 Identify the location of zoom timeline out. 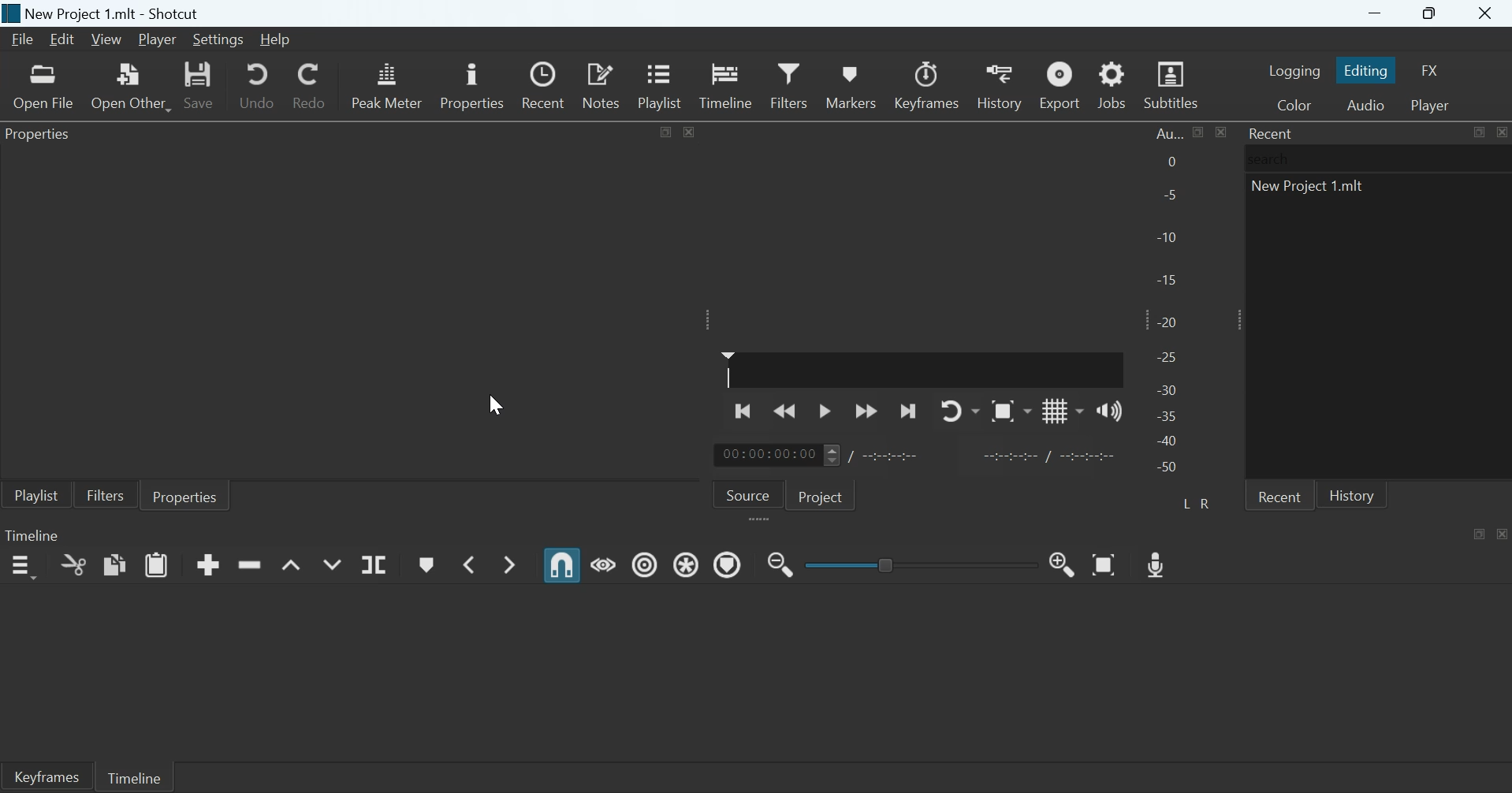
(780, 563).